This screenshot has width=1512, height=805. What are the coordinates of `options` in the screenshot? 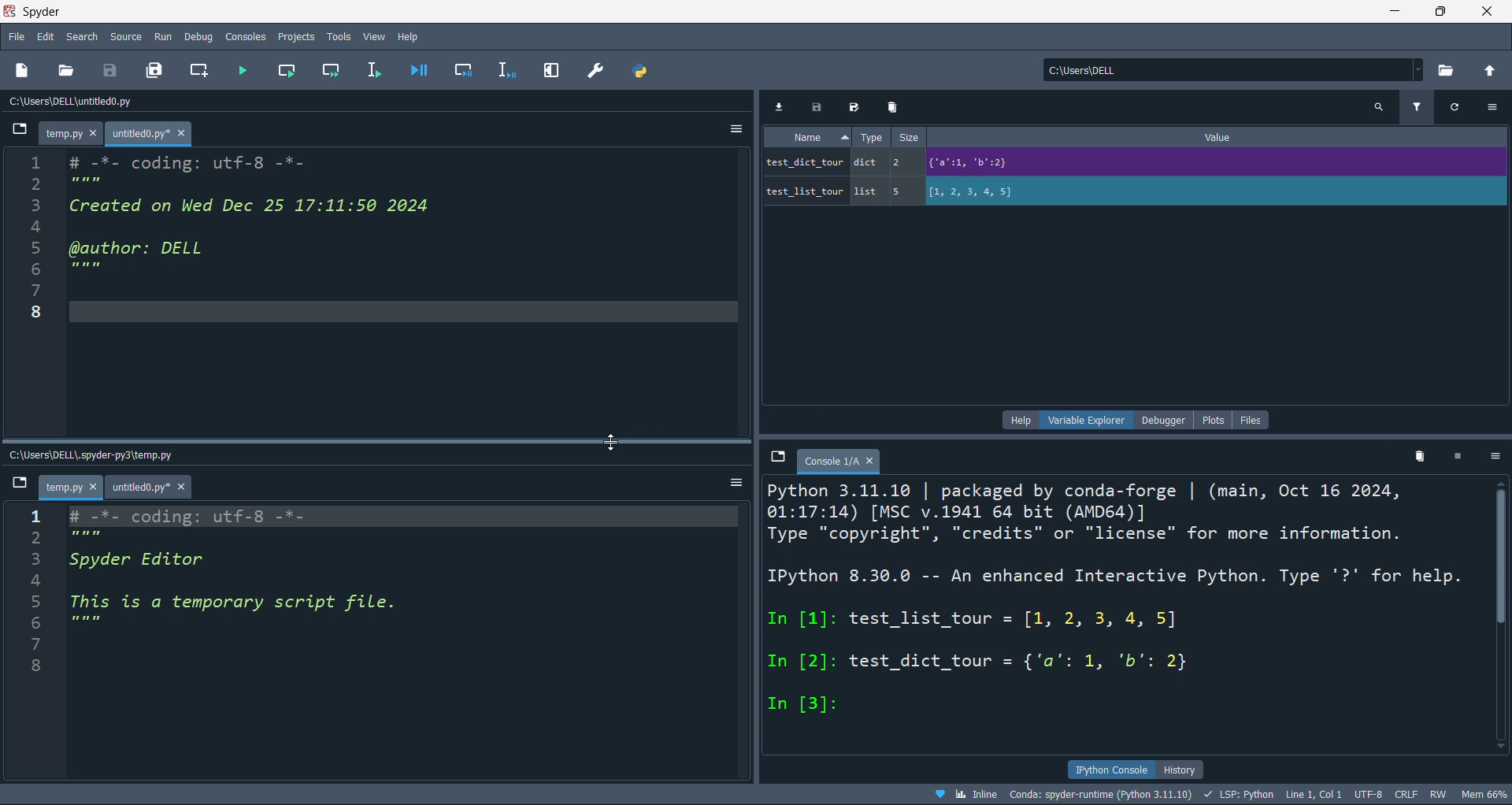 It's located at (1495, 457).